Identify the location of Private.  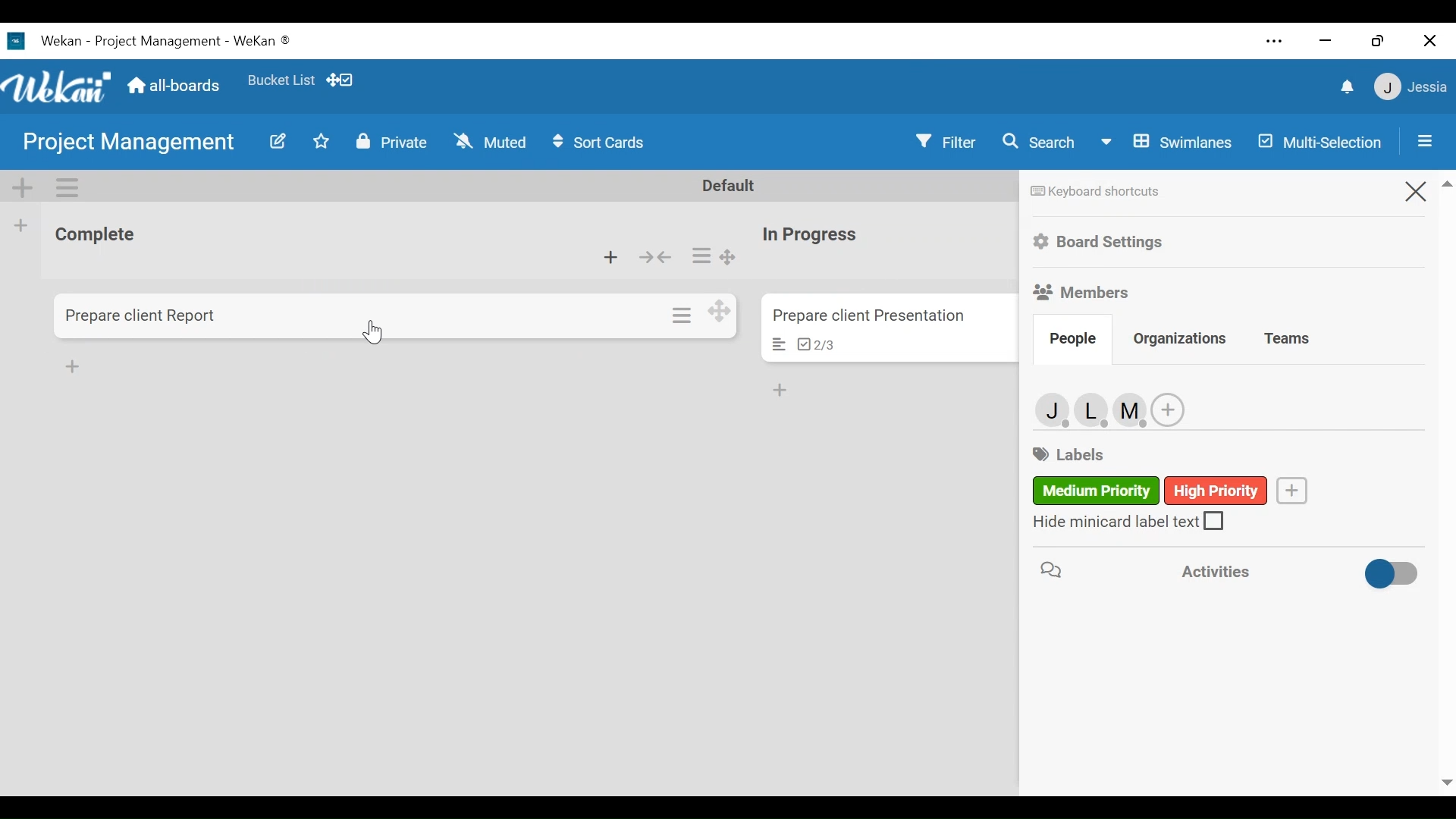
(388, 143).